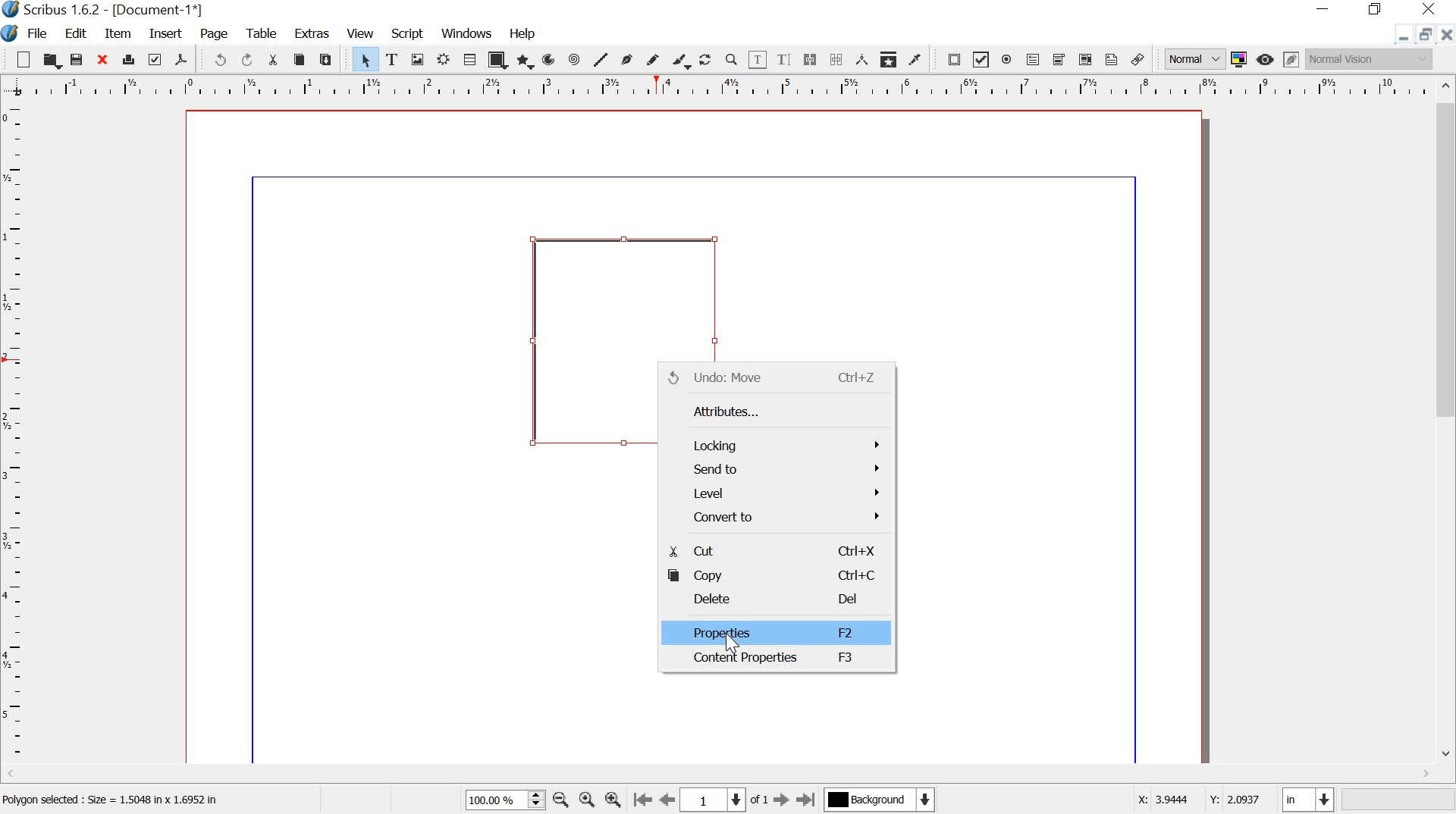 The image size is (1456, 814). I want to click on render frame, so click(443, 61).